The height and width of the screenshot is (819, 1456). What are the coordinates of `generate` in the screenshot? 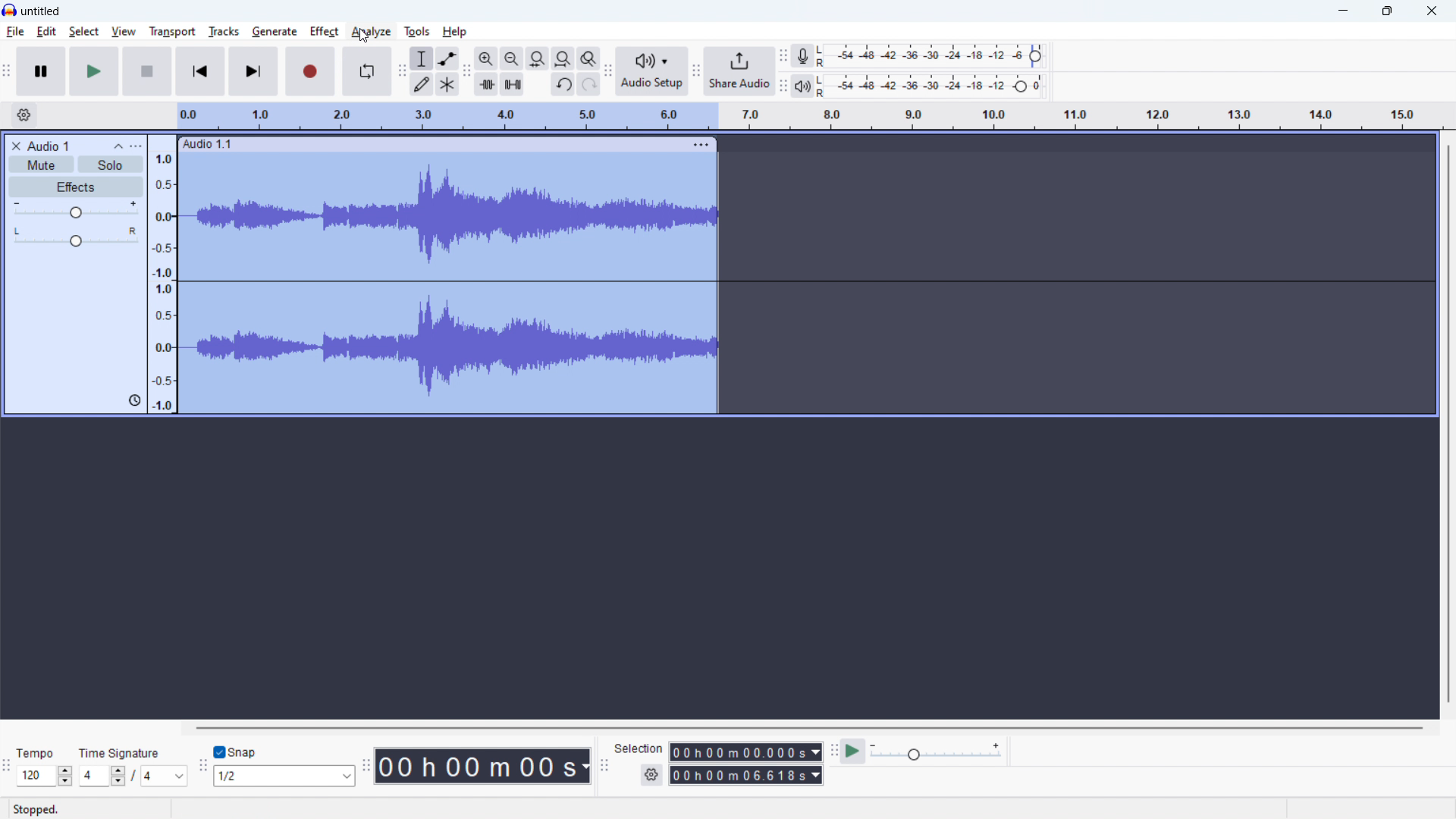 It's located at (275, 32).